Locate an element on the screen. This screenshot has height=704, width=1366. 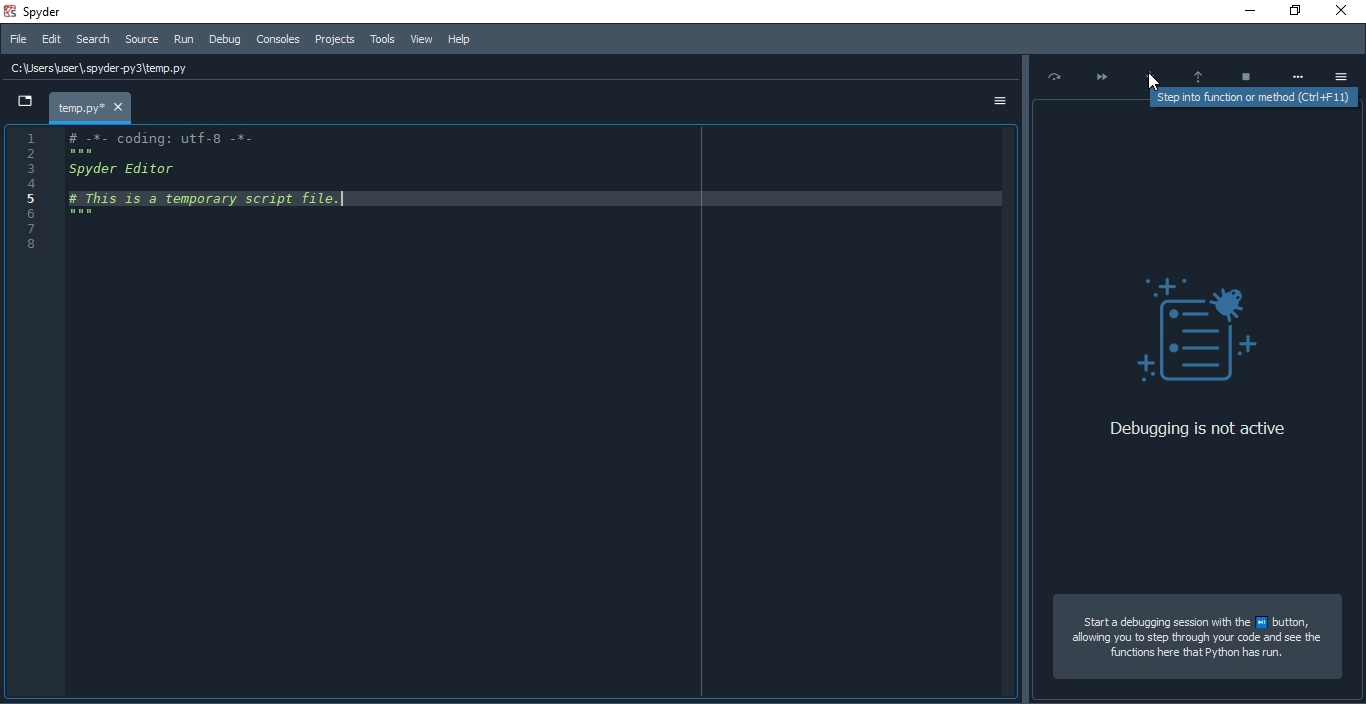
Continue execution until next breakpoint is located at coordinates (1099, 74).